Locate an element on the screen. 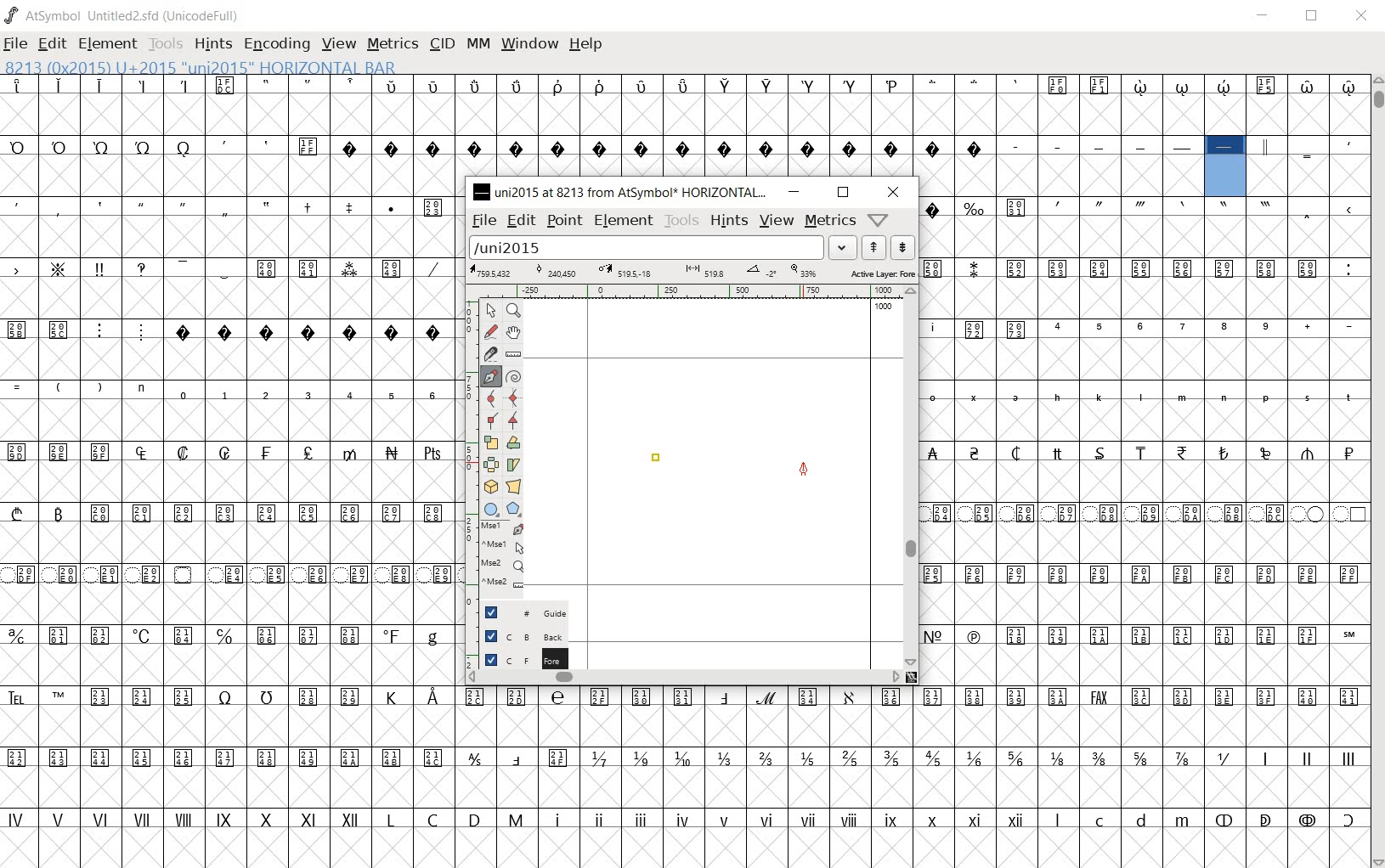 This screenshot has height=868, width=1385. glyph characters is located at coordinates (928, 105).